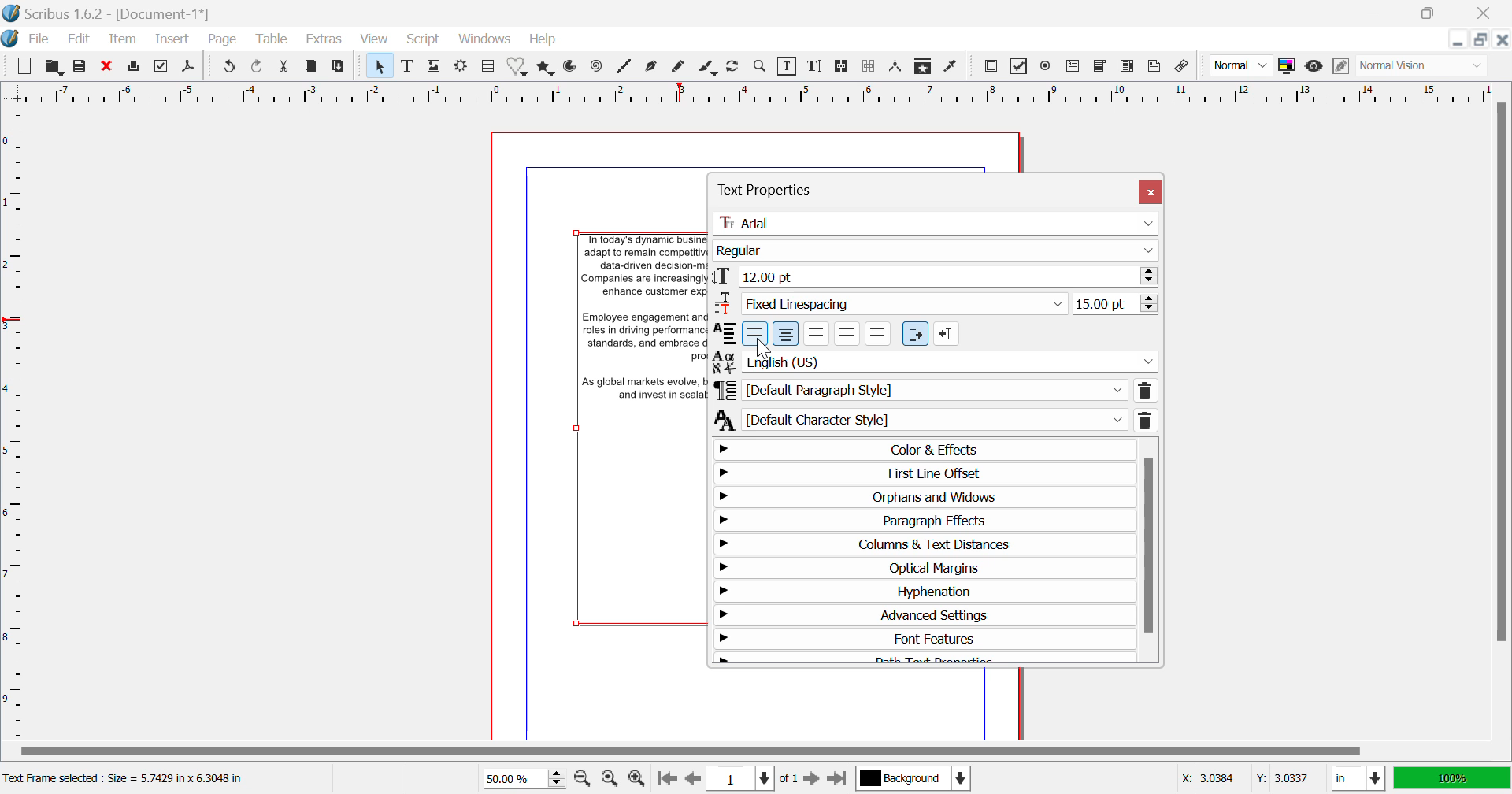 This screenshot has width=1512, height=794. What do you see at coordinates (754, 336) in the screenshot?
I see `Left Align` at bounding box center [754, 336].